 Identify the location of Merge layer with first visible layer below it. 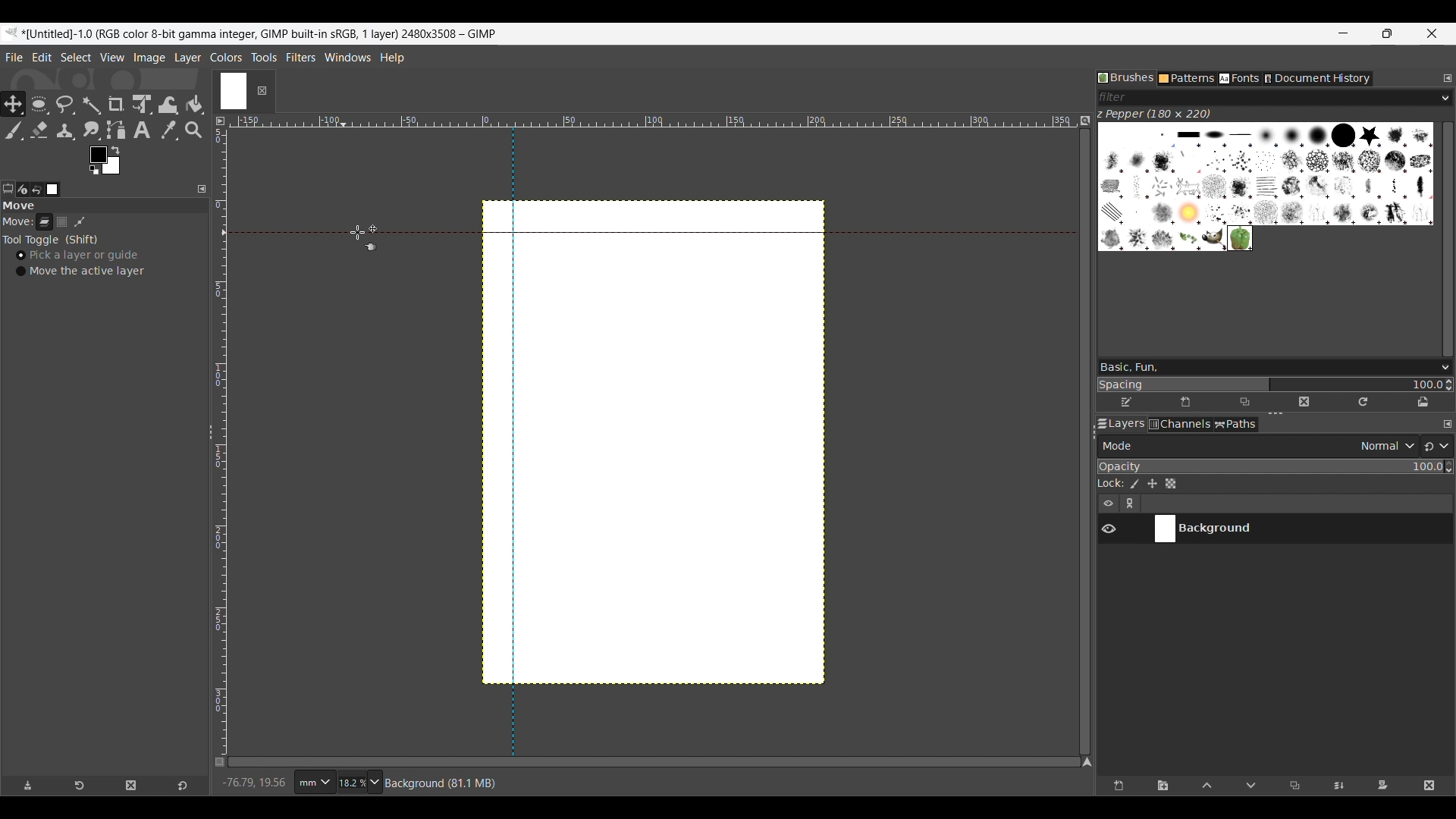
(1338, 786).